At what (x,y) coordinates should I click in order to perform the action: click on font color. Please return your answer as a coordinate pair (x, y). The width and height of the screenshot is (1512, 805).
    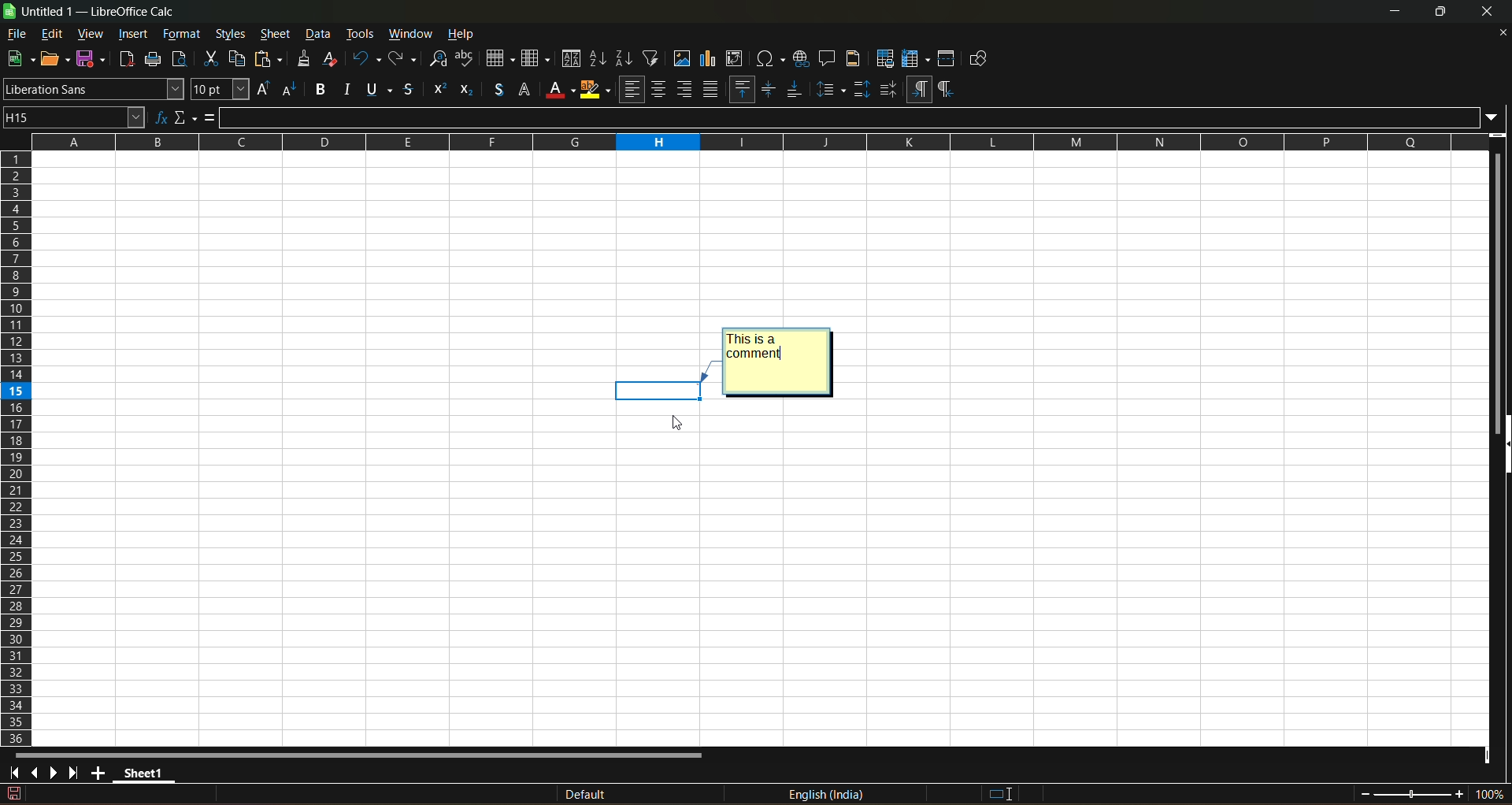
    Looking at the image, I should click on (366, 90).